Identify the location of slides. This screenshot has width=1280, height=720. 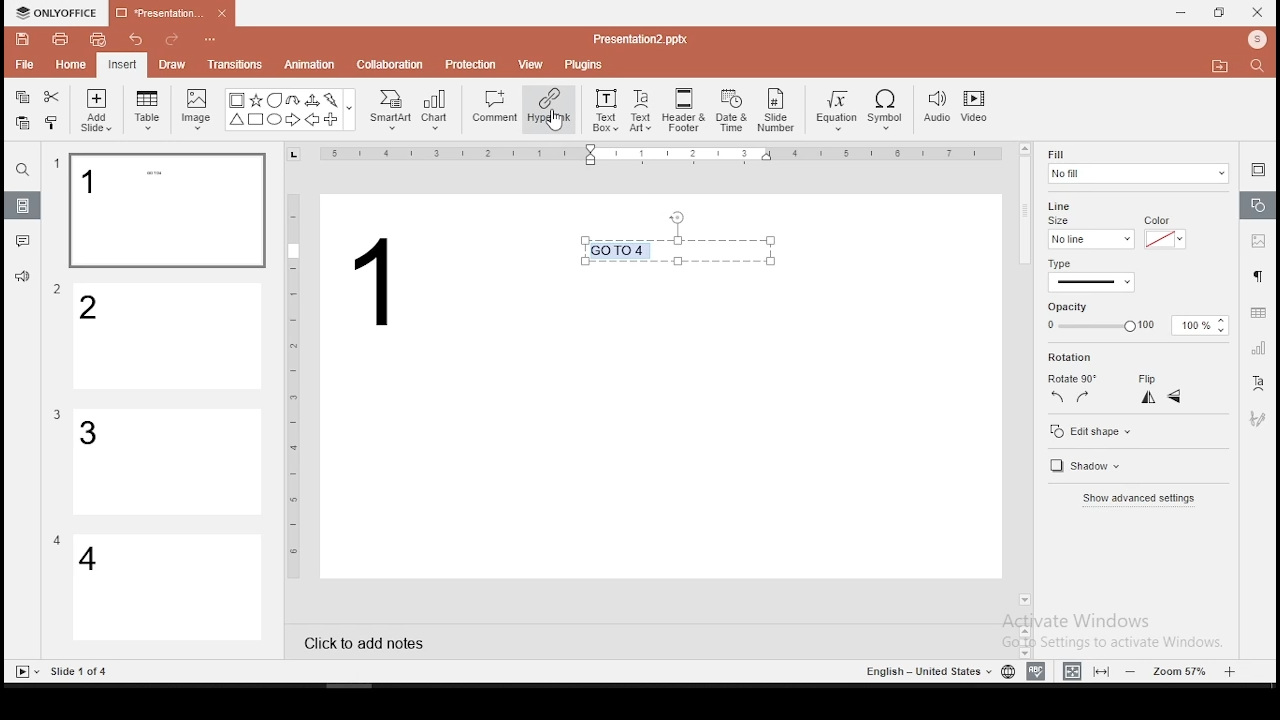
(24, 206).